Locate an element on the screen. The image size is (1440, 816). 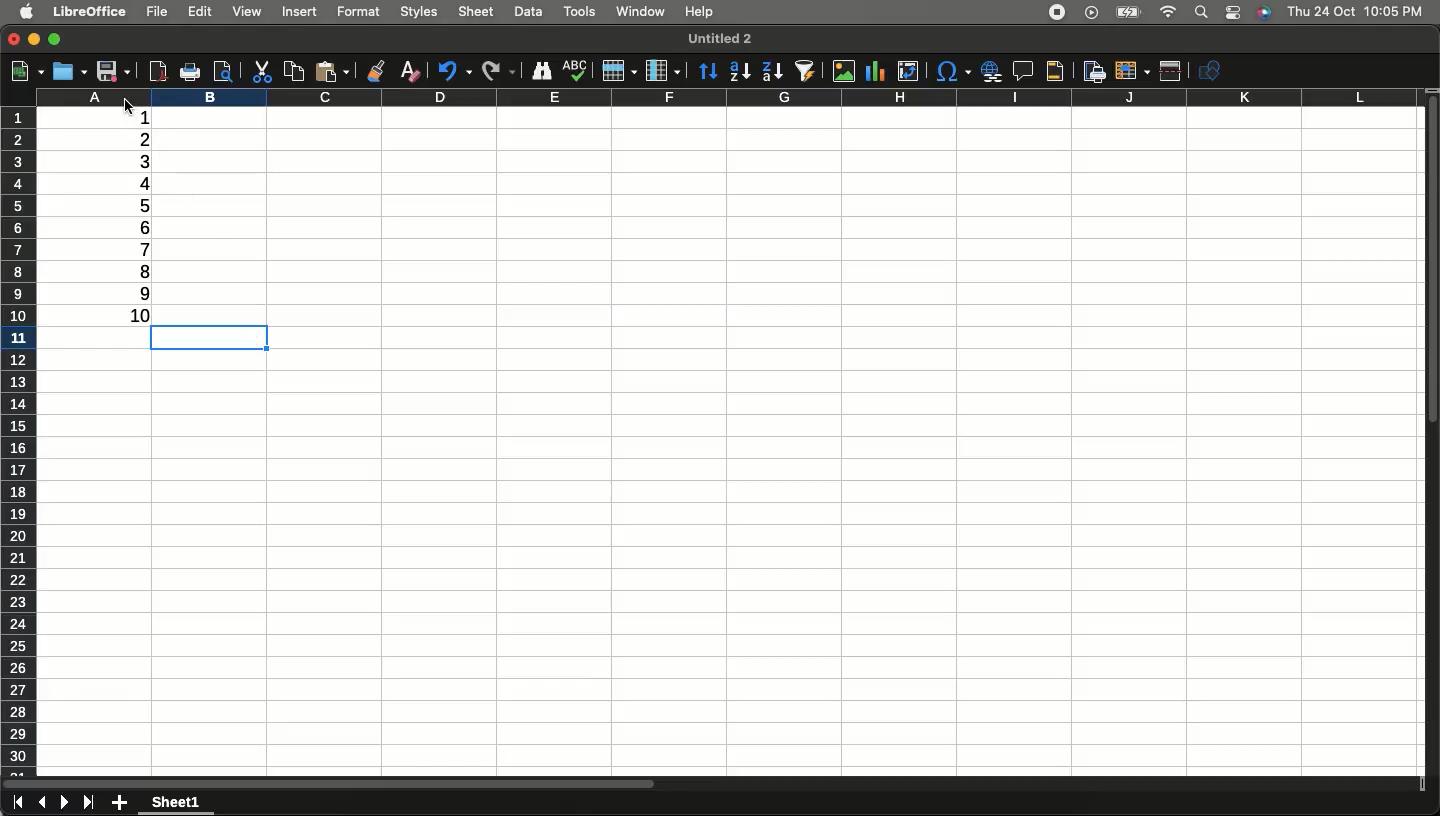
Add new sheet is located at coordinates (120, 803).